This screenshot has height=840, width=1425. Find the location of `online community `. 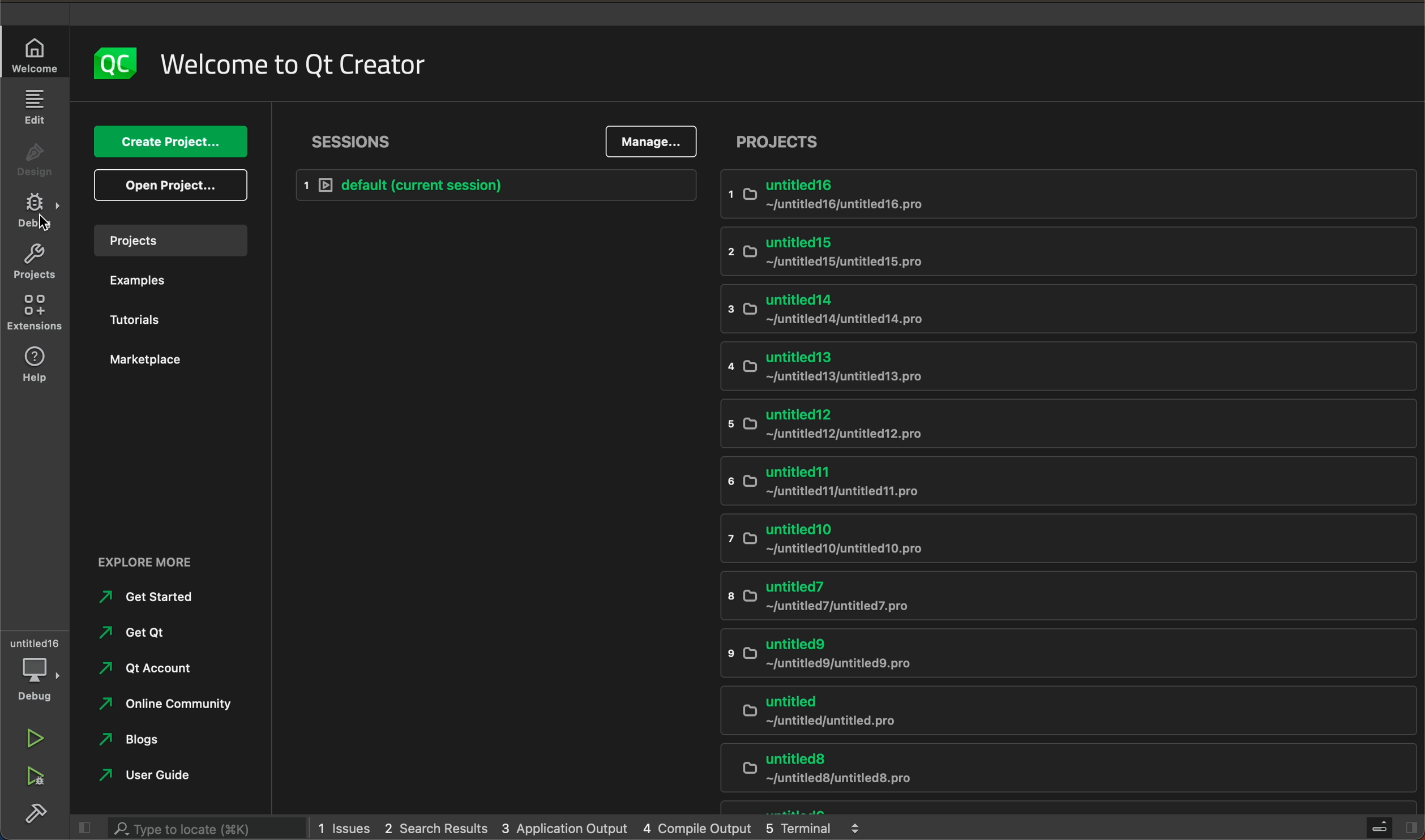

online community  is located at coordinates (176, 710).